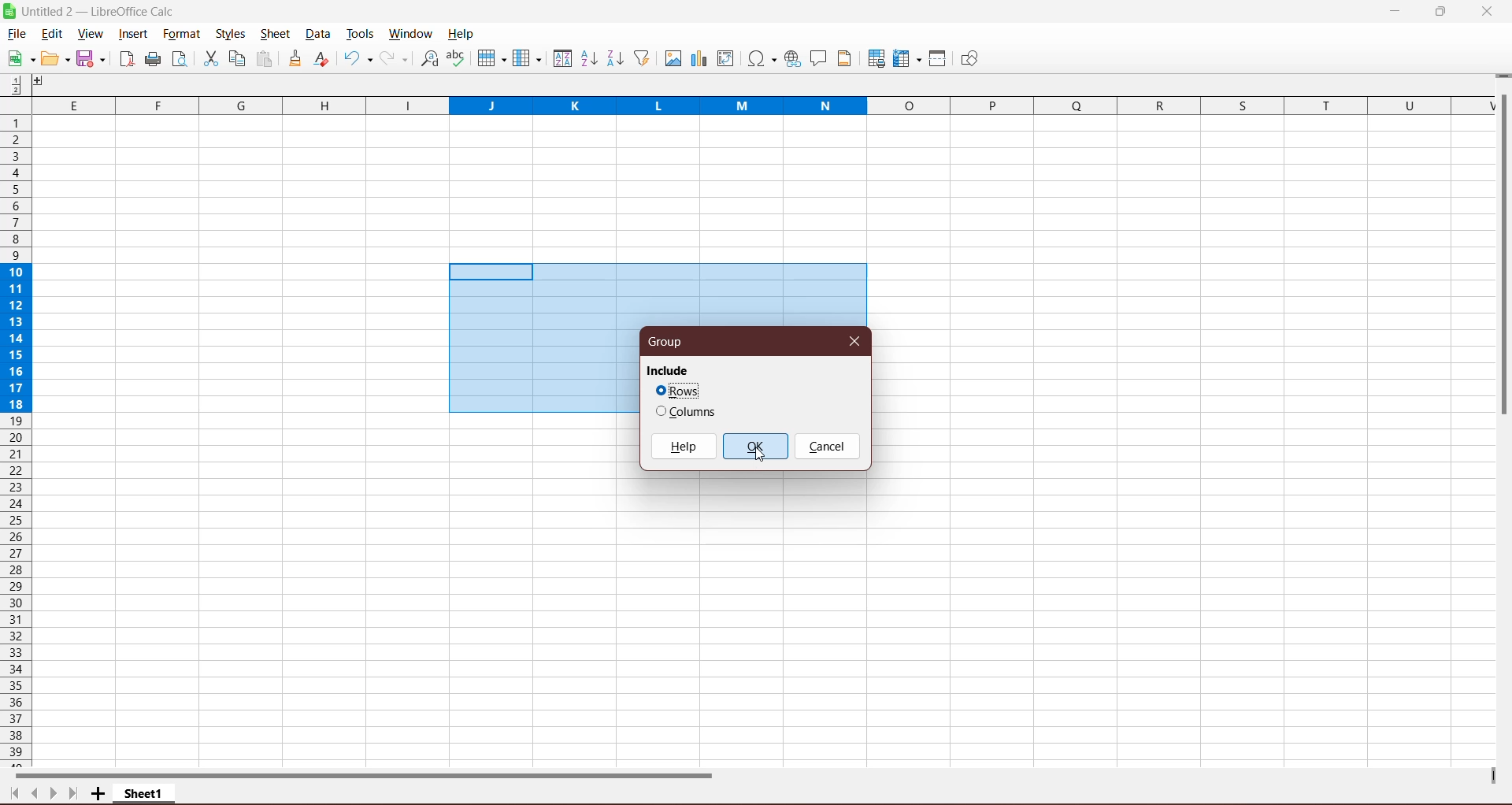 Image resolution: width=1512 pixels, height=805 pixels. Describe the element at coordinates (699, 58) in the screenshot. I see `Insert Poll` at that location.